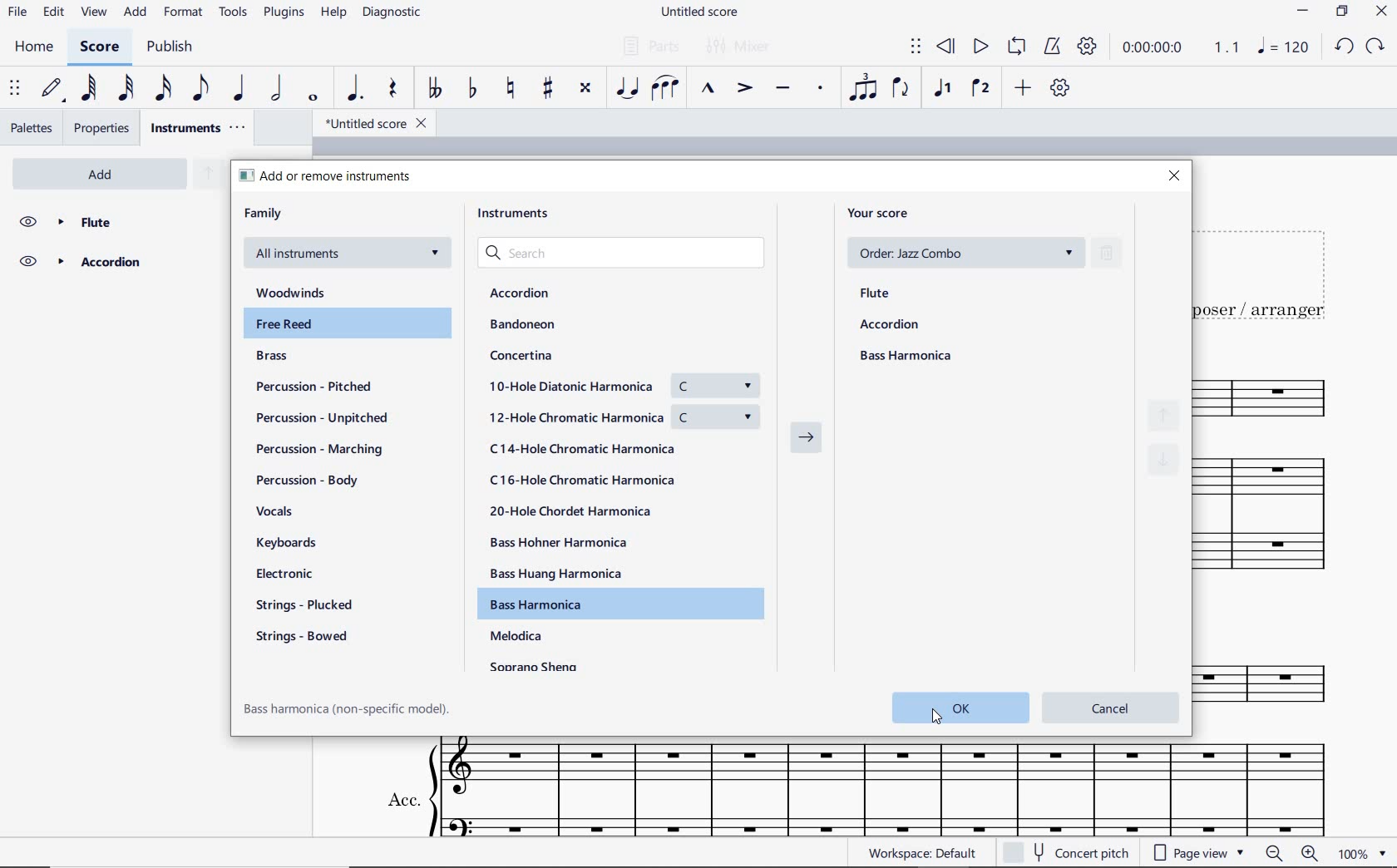 The width and height of the screenshot is (1397, 868). Describe the element at coordinates (1380, 11) in the screenshot. I see `CLOSE` at that location.